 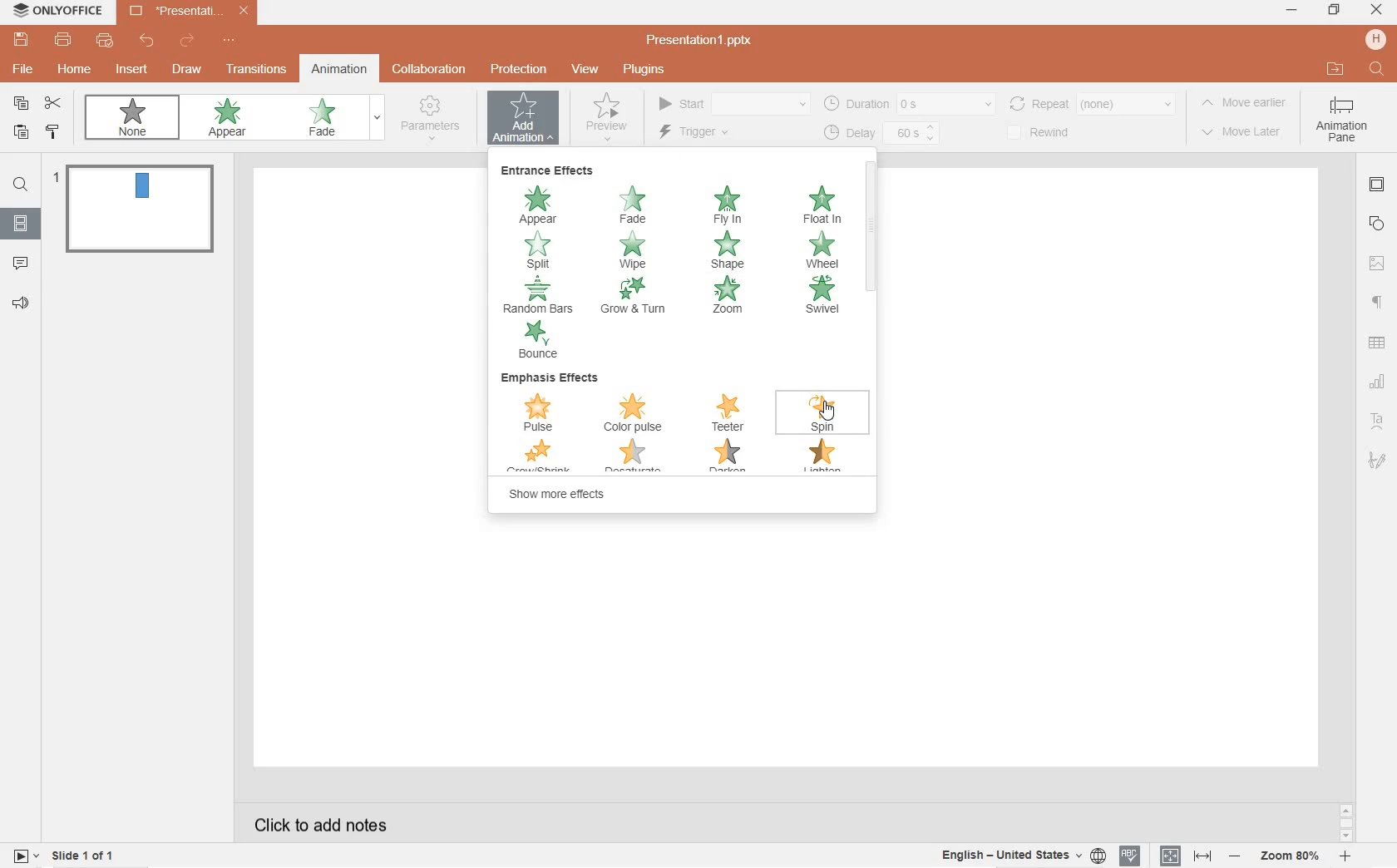 What do you see at coordinates (585, 70) in the screenshot?
I see `view` at bounding box center [585, 70].